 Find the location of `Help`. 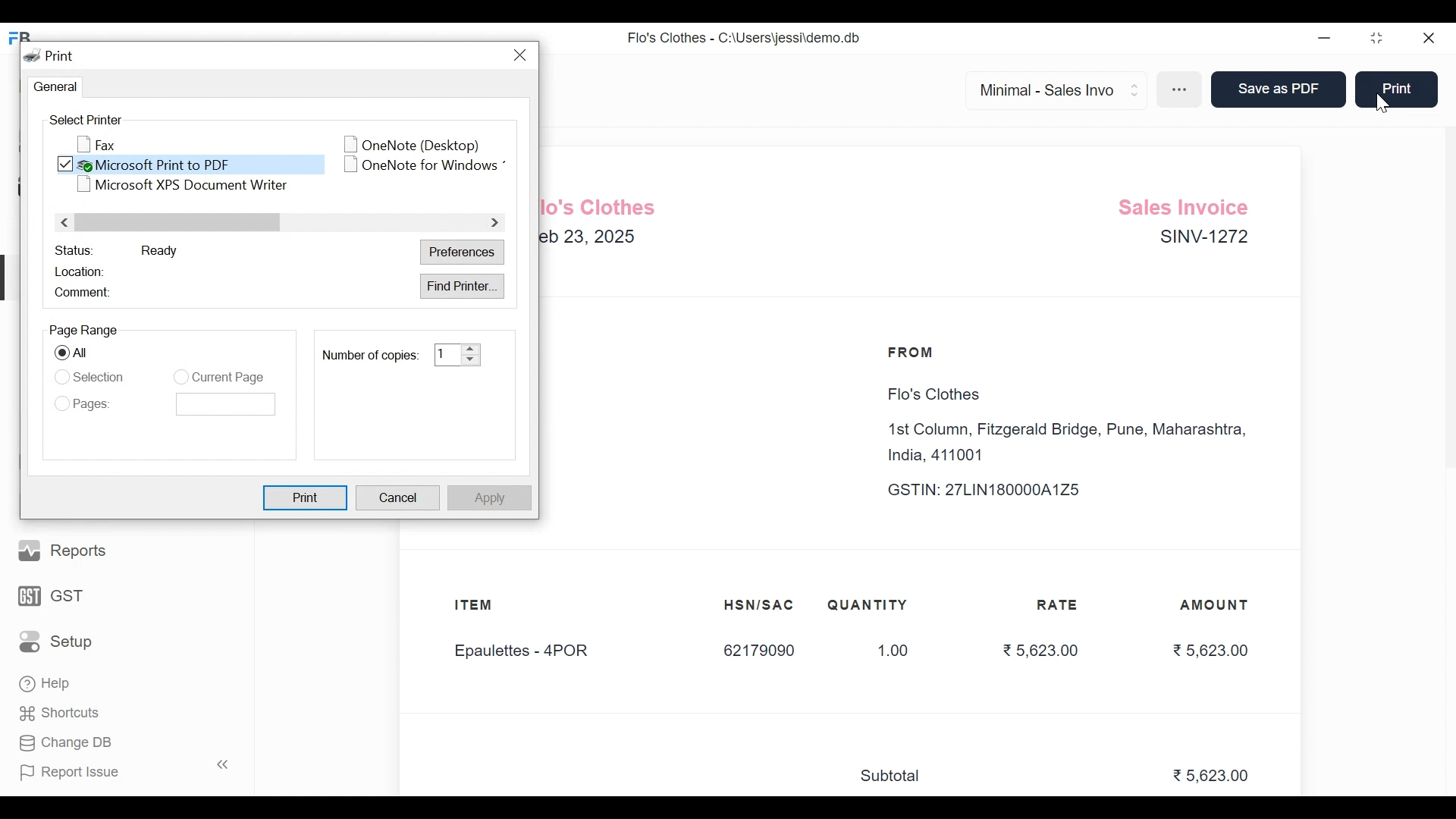

Help is located at coordinates (46, 686).